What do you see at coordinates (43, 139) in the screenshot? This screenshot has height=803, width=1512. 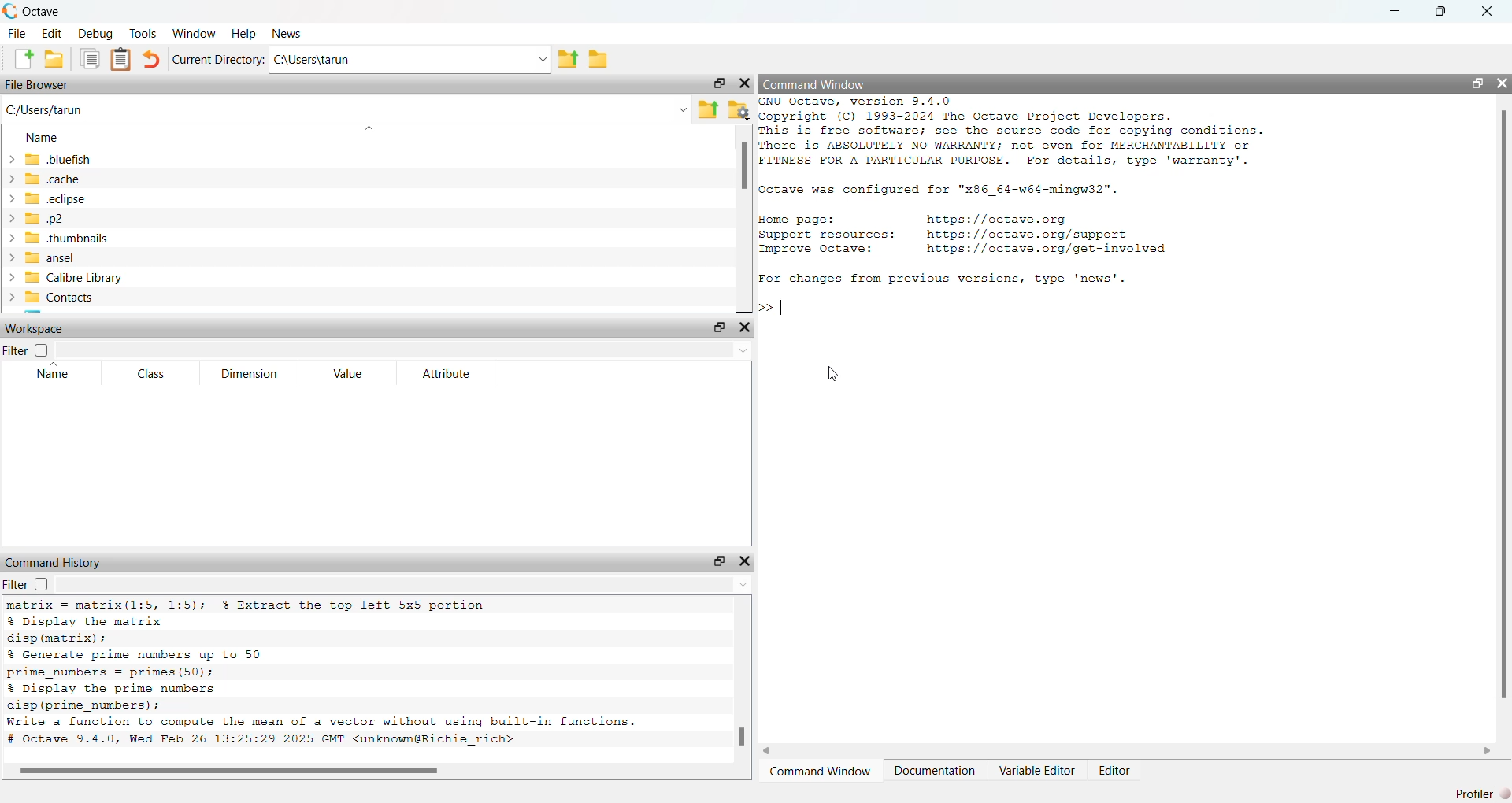 I see `name` at bounding box center [43, 139].